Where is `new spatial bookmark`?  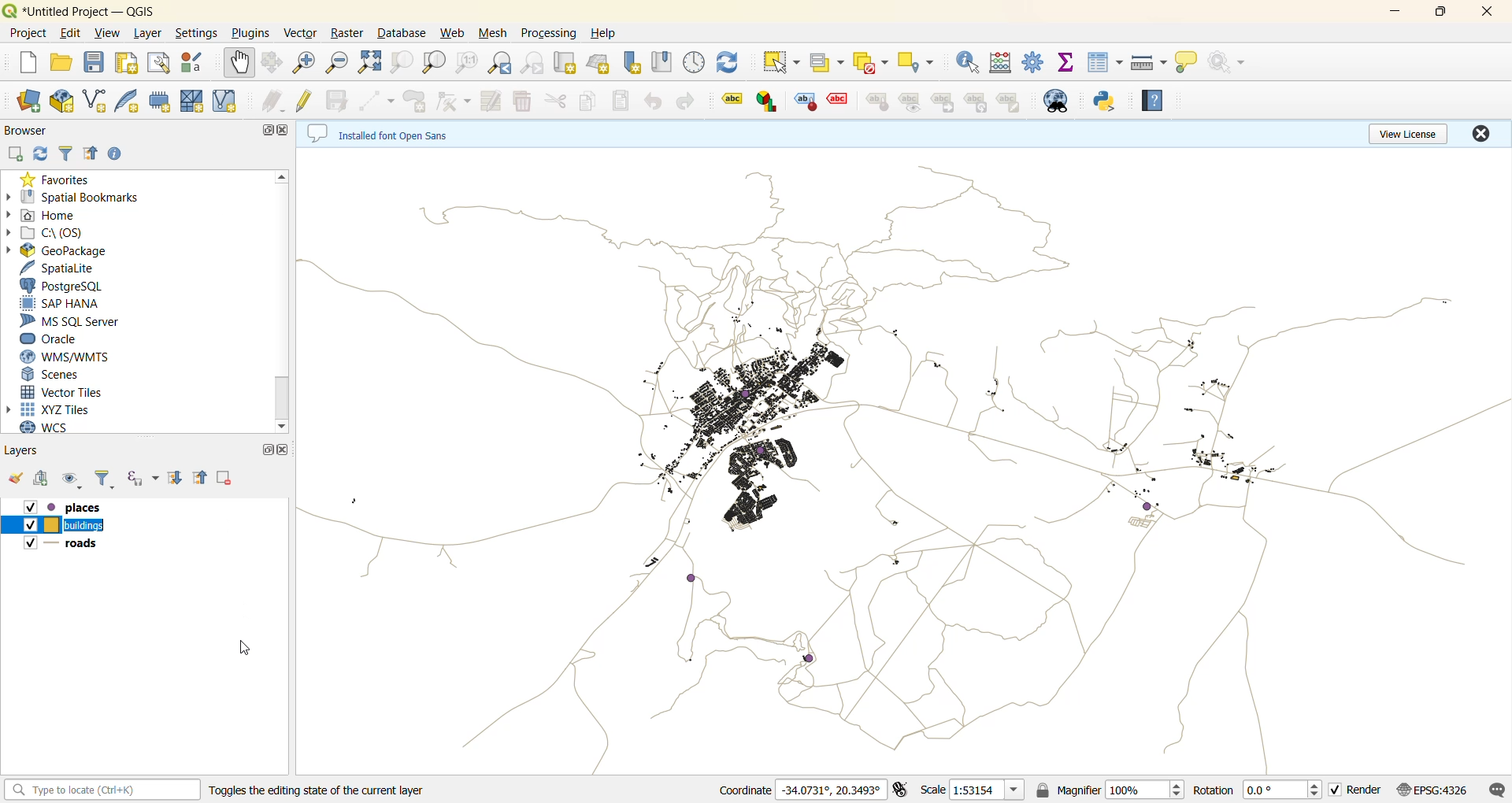 new spatial bookmark is located at coordinates (632, 62).